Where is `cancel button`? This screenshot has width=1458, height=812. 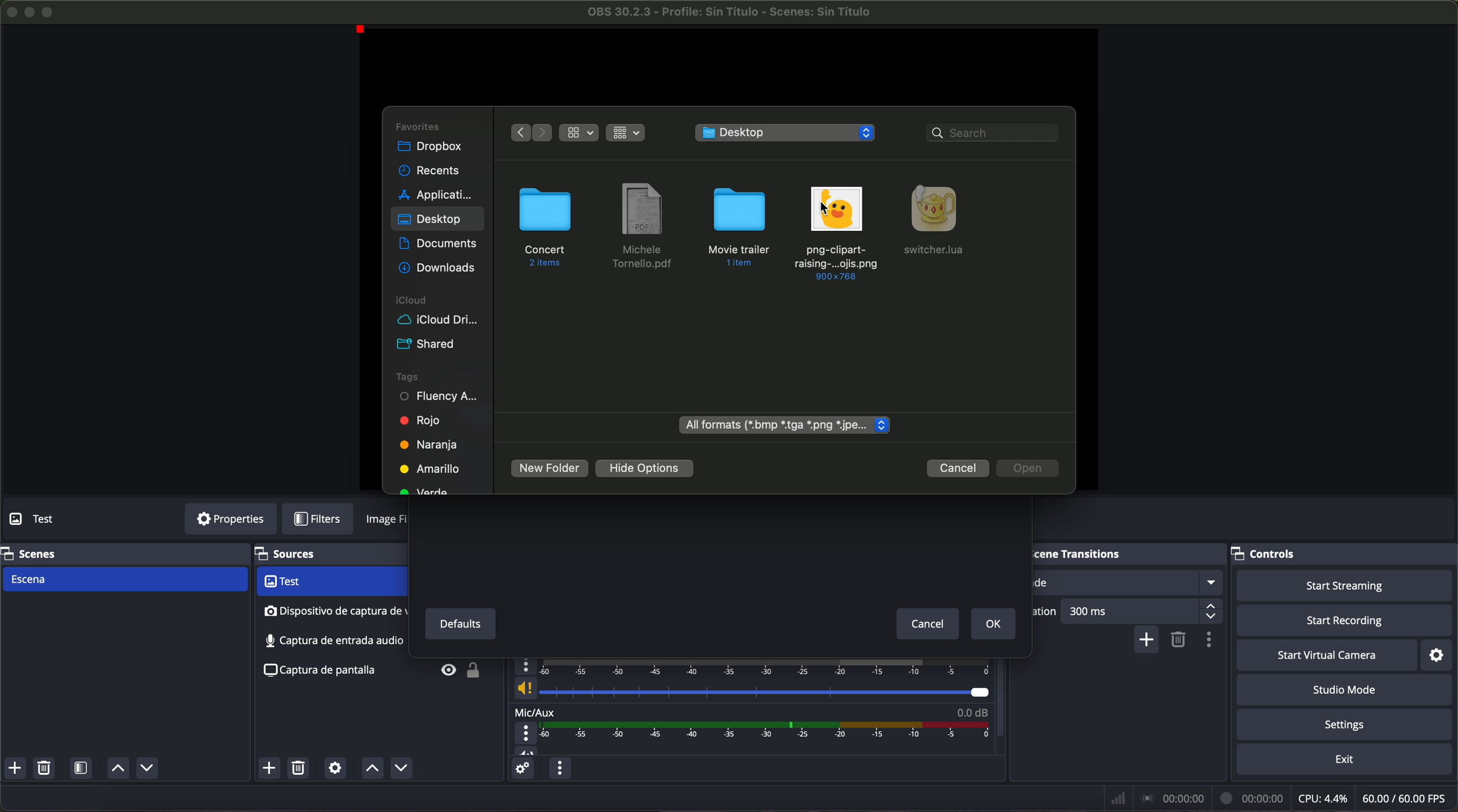
cancel button is located at coordinates (958, 469).